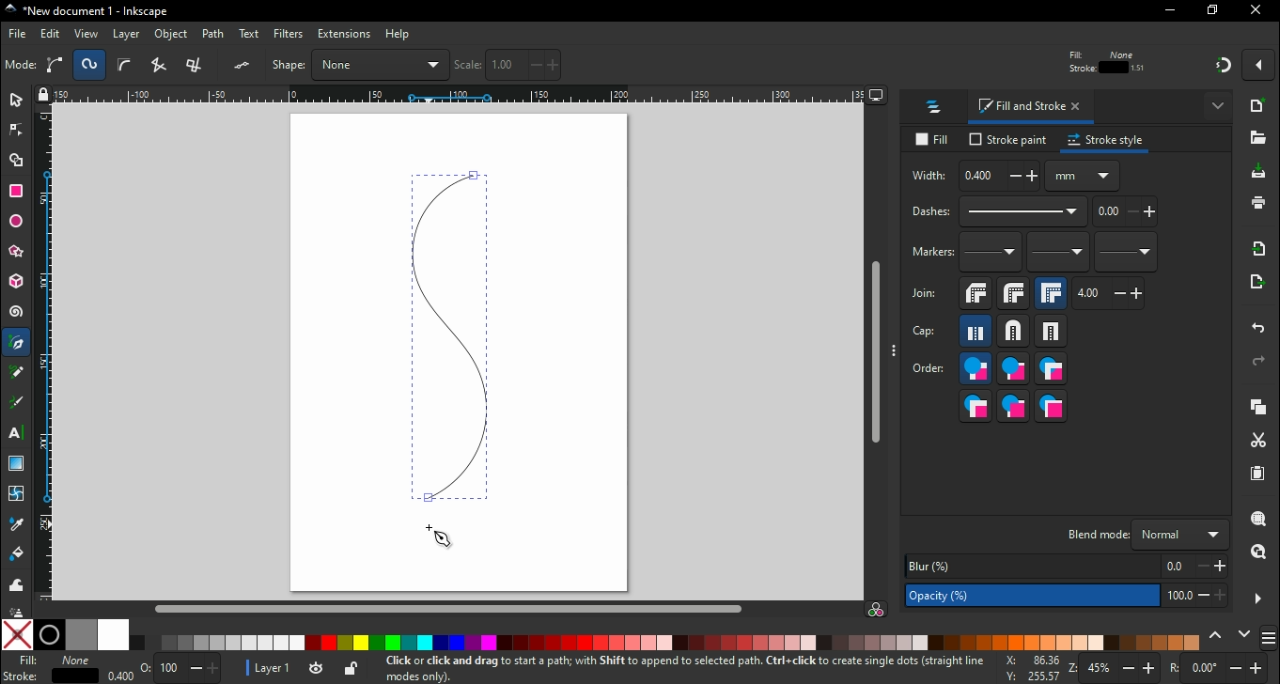 This screenshot has width=1280, height=684. What do you see at coordinates (1053, 335) in the screenshot?
I see `square` at bounding box center [1053, 335].